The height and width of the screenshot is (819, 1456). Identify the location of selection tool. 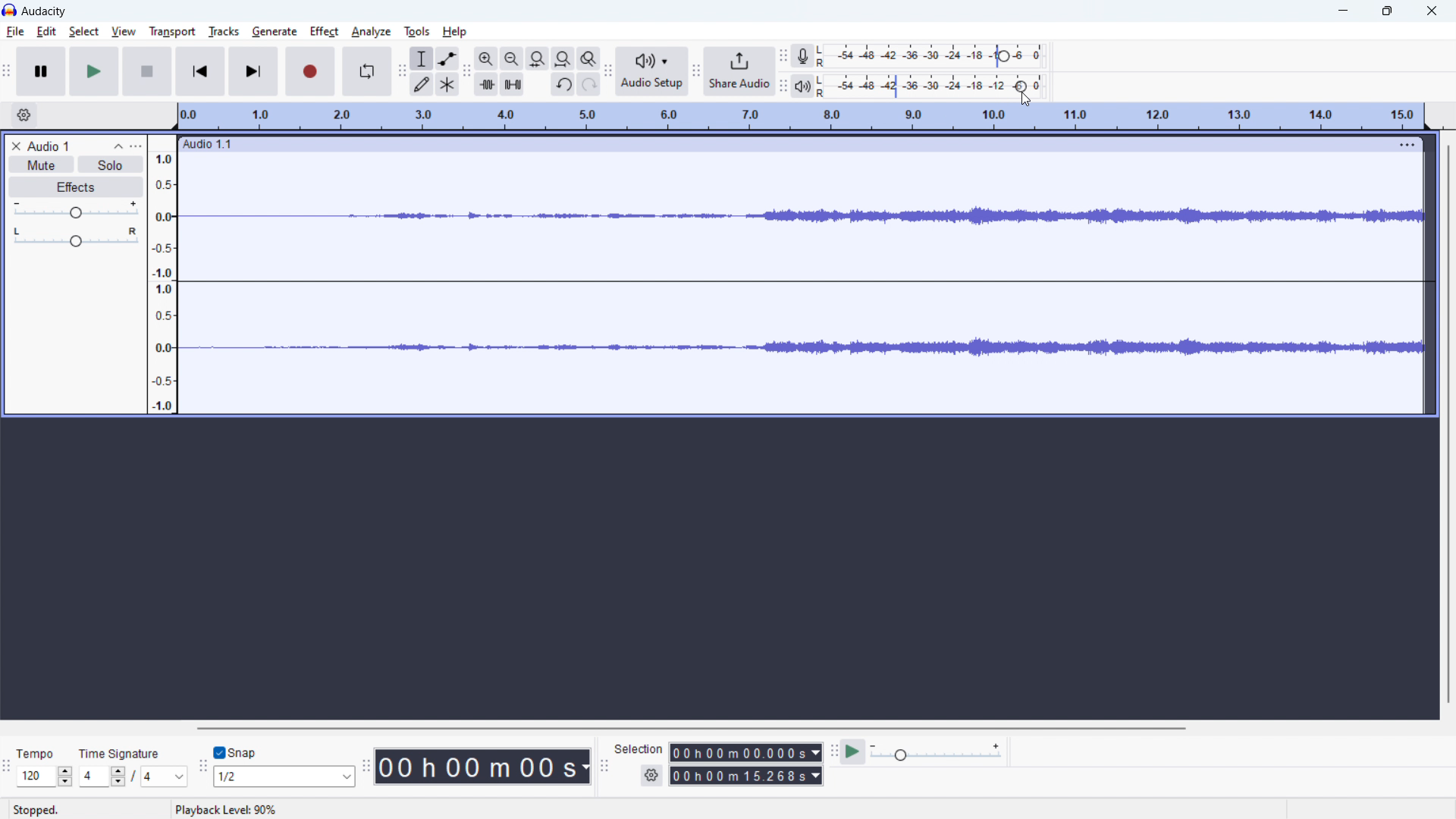
(422, 58).